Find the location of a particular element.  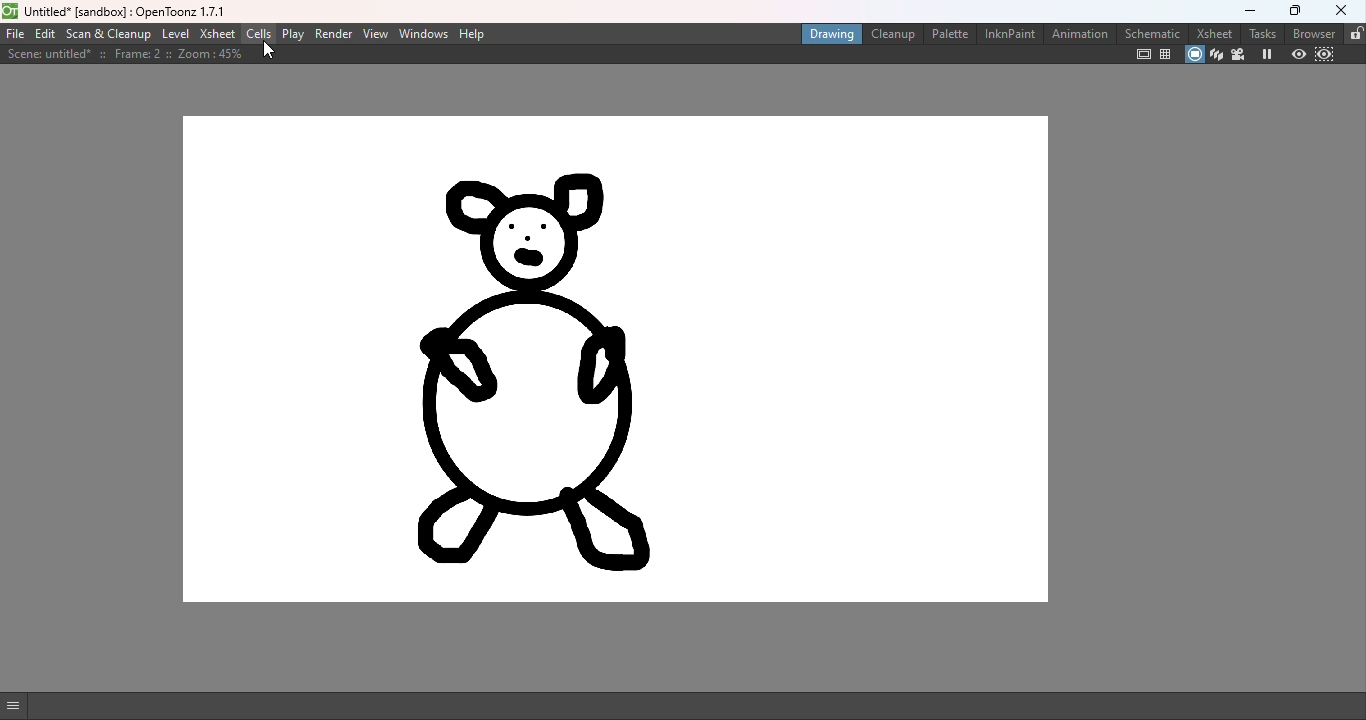

Animation is located at coordinates (1080, 34).